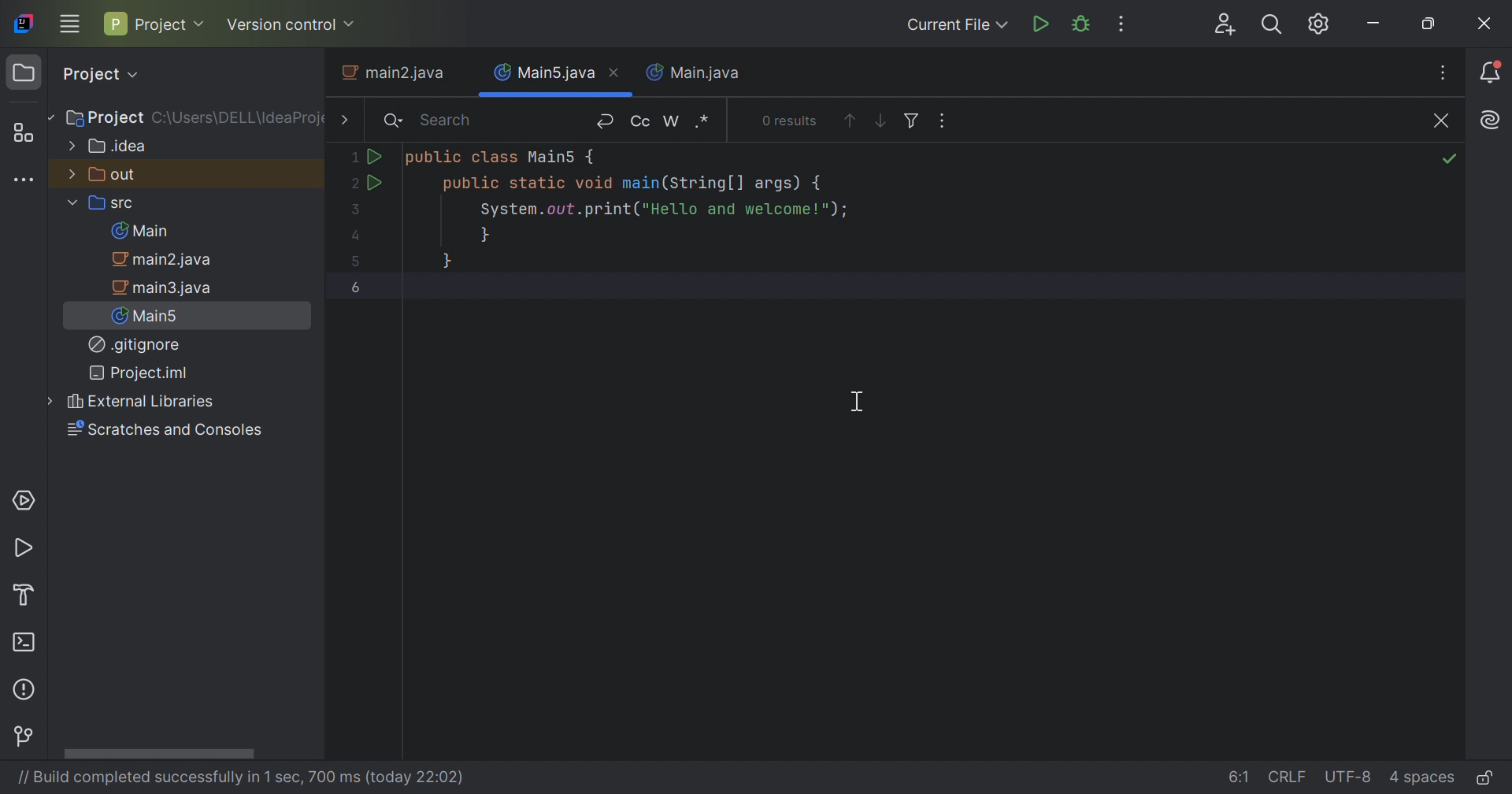 The height and width of the screenshot is (794, 1512). What do you see at coordinates (1489, 121) in the screenshot?
I see `Recent Files, Tab Actions, and More` at bounding box center [1489, 121].